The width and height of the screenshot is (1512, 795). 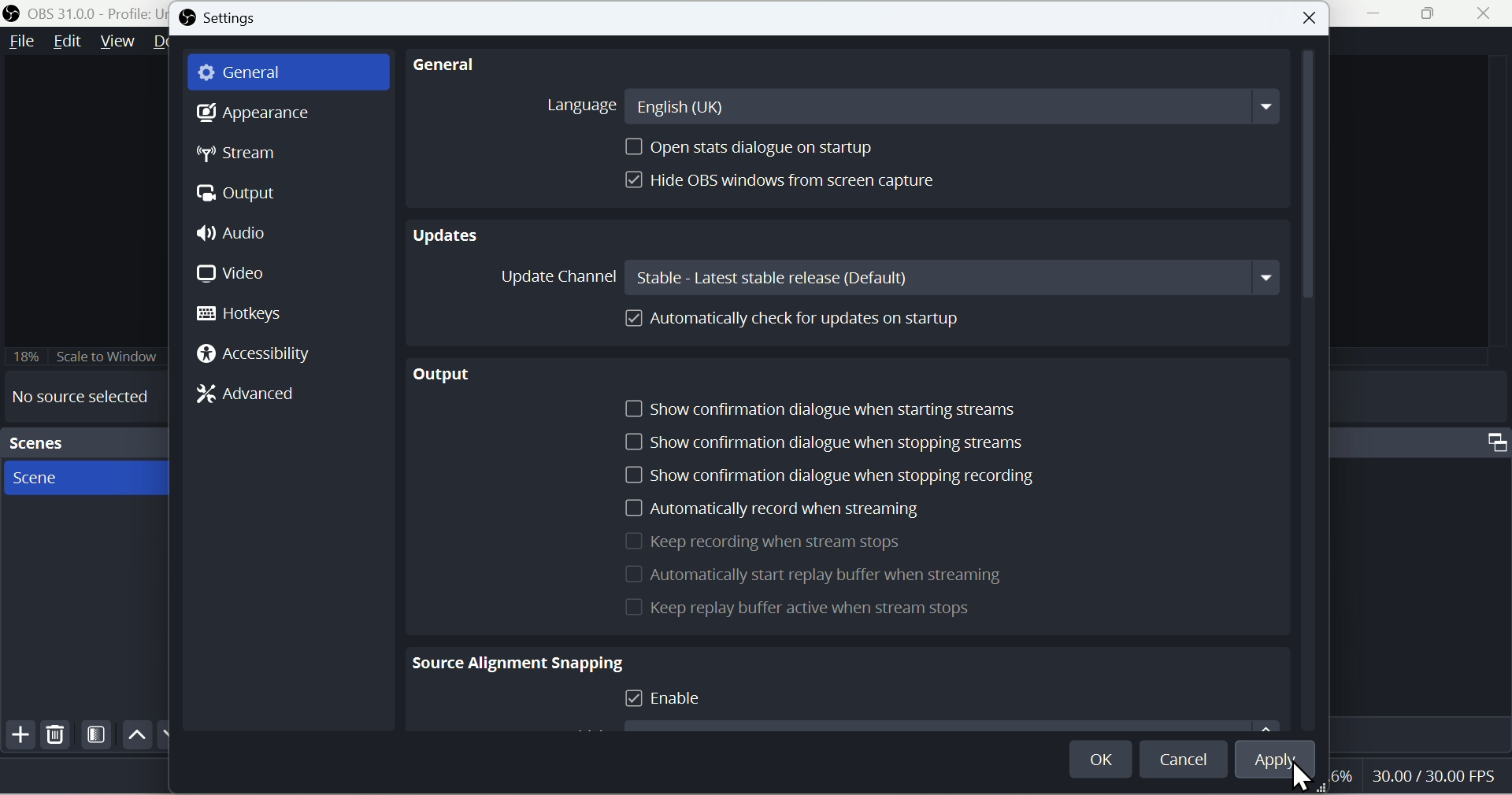 What do you see at coordinates (669, 700) in the screenshot?
I see `Enable` at bounding box center [669, 700].